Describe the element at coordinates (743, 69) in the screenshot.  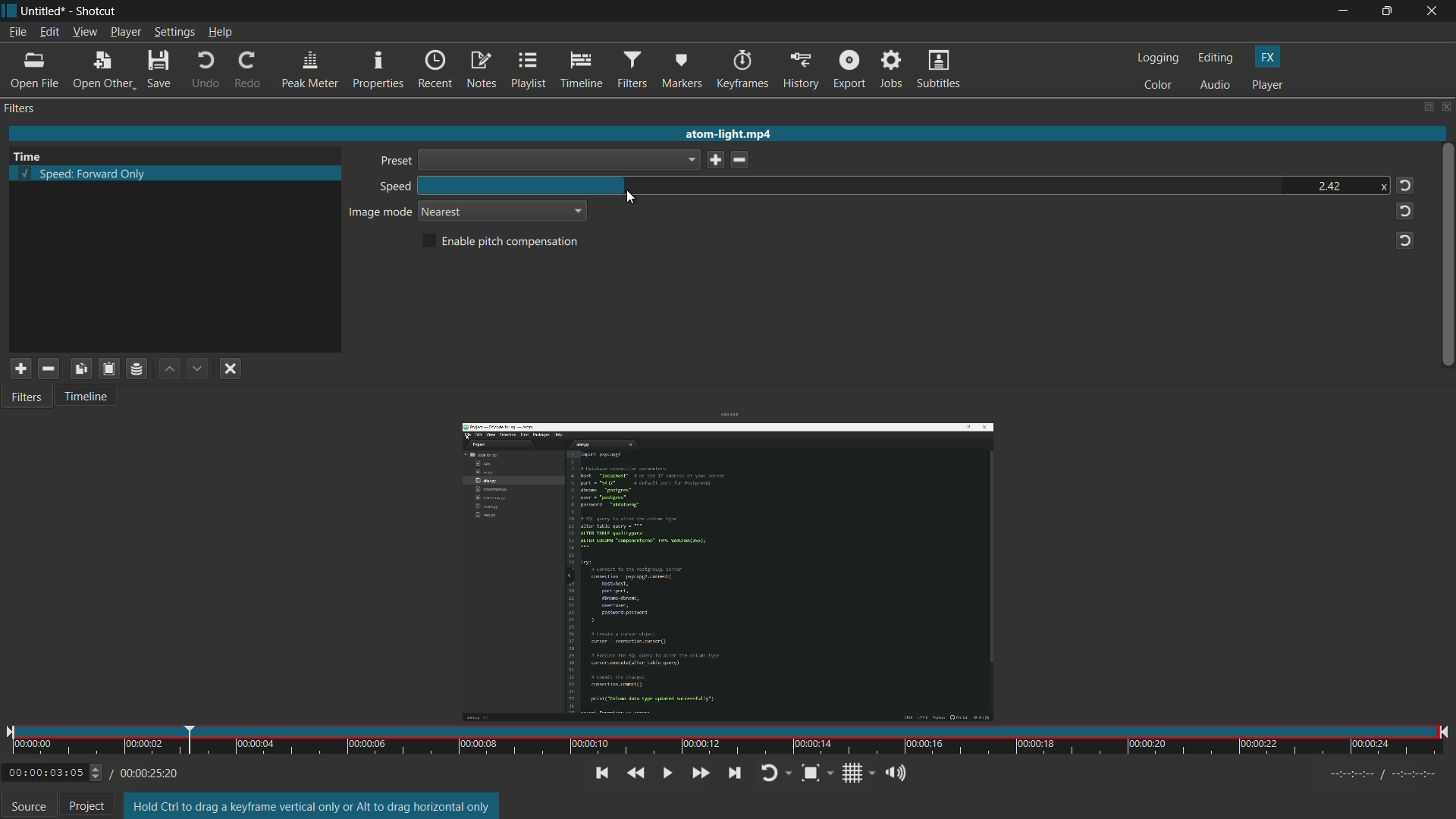
I see `keyframes` at that location.